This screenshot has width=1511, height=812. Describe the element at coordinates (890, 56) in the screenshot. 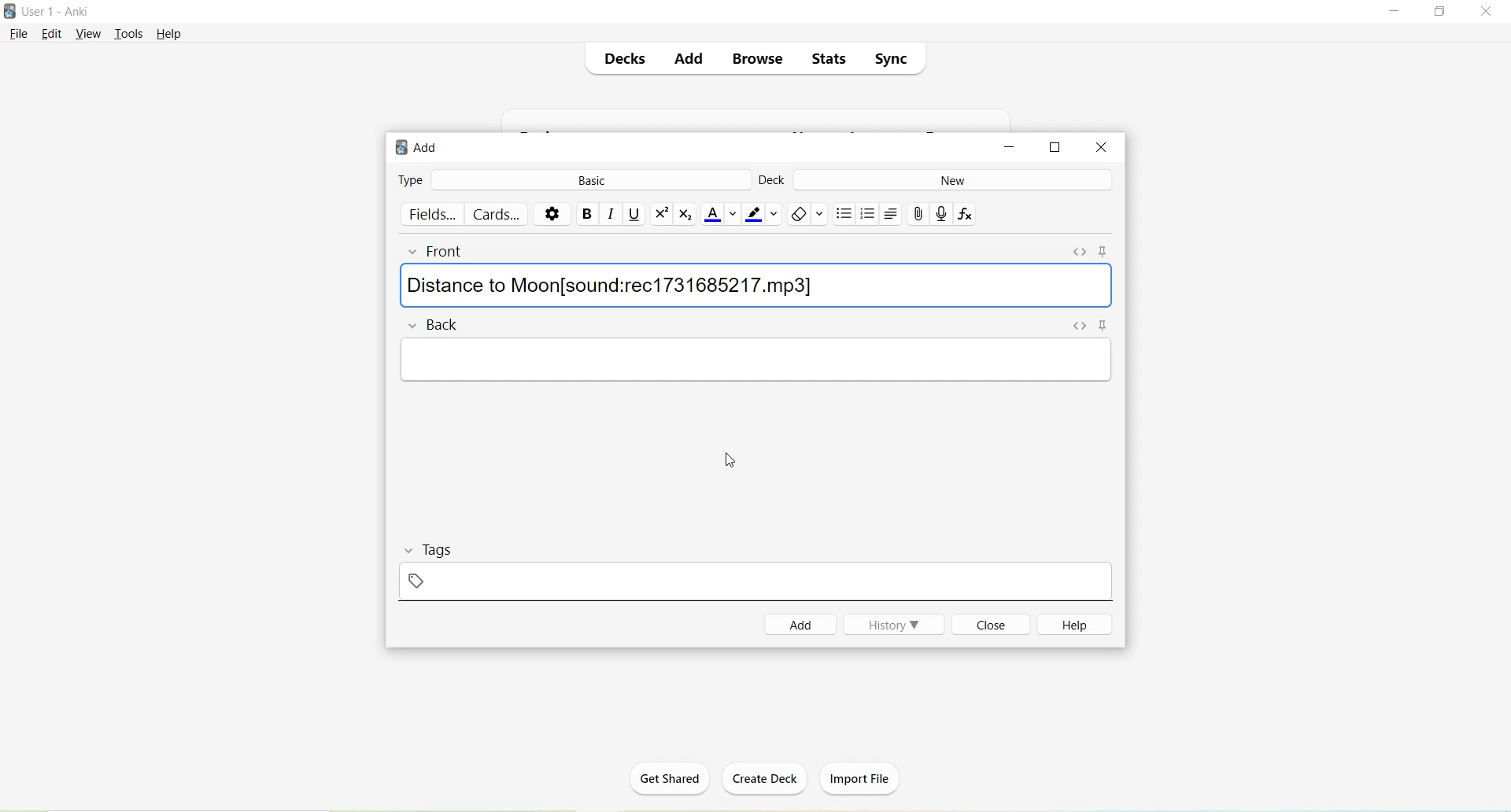

I see `Sync` at that location.